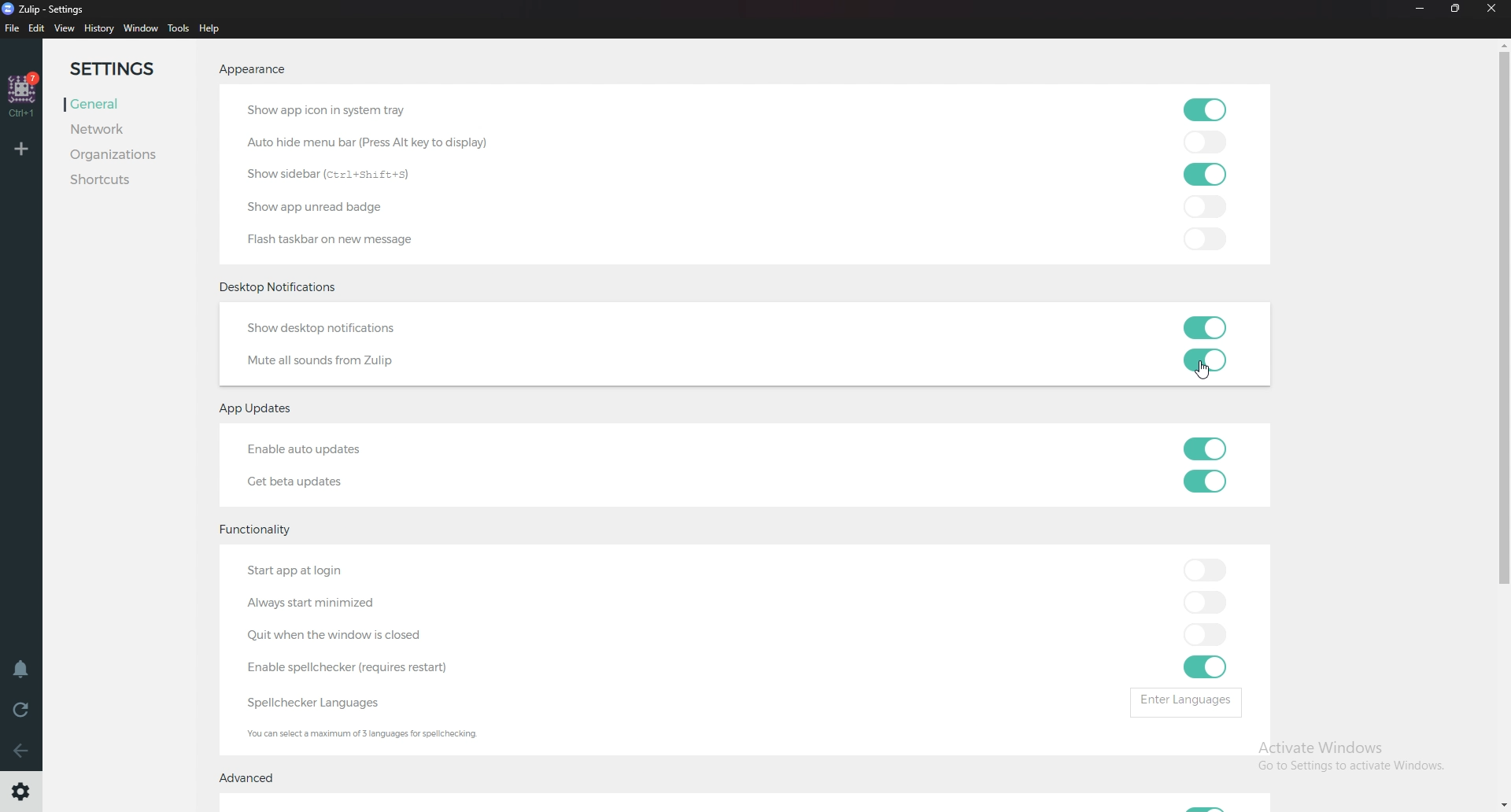 Image resolution: width=1511 pixels, height=812 pixels. What do you see at coordinates (96, 130) in the screenshot?
I see `Network` at bounding box center [96, 130].